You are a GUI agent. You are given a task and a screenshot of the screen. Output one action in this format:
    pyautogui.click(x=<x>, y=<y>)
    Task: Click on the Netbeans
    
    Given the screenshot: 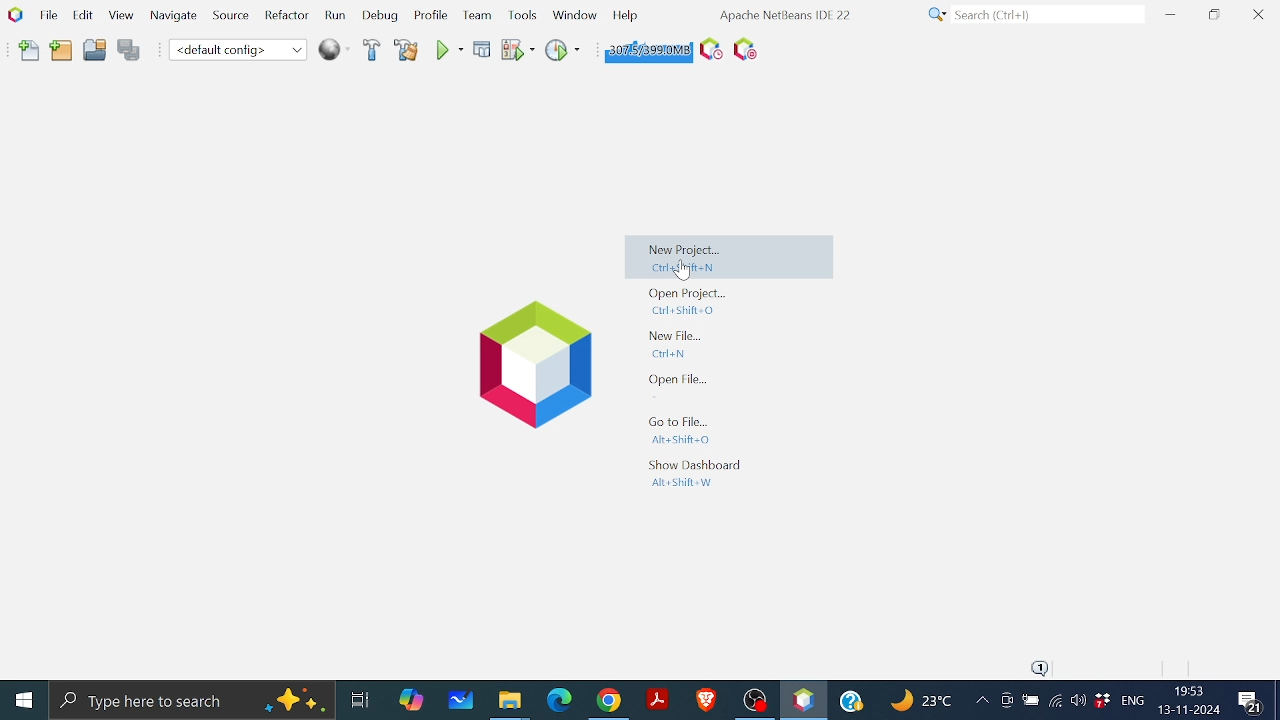 What is the action you would take?
    pyautogui.click(x=803, y=700)
    